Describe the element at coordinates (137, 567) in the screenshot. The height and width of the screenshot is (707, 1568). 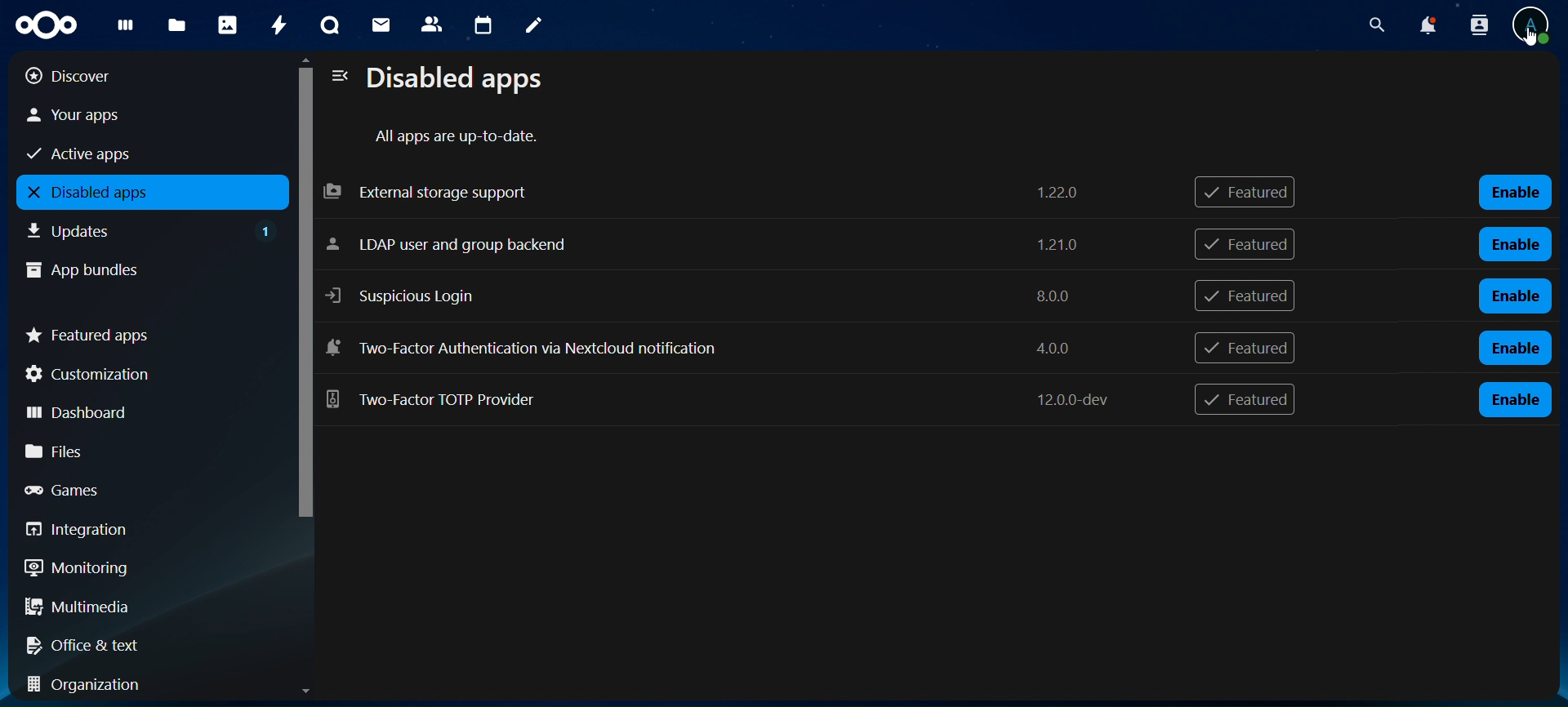
I see `monitoring` at that location.